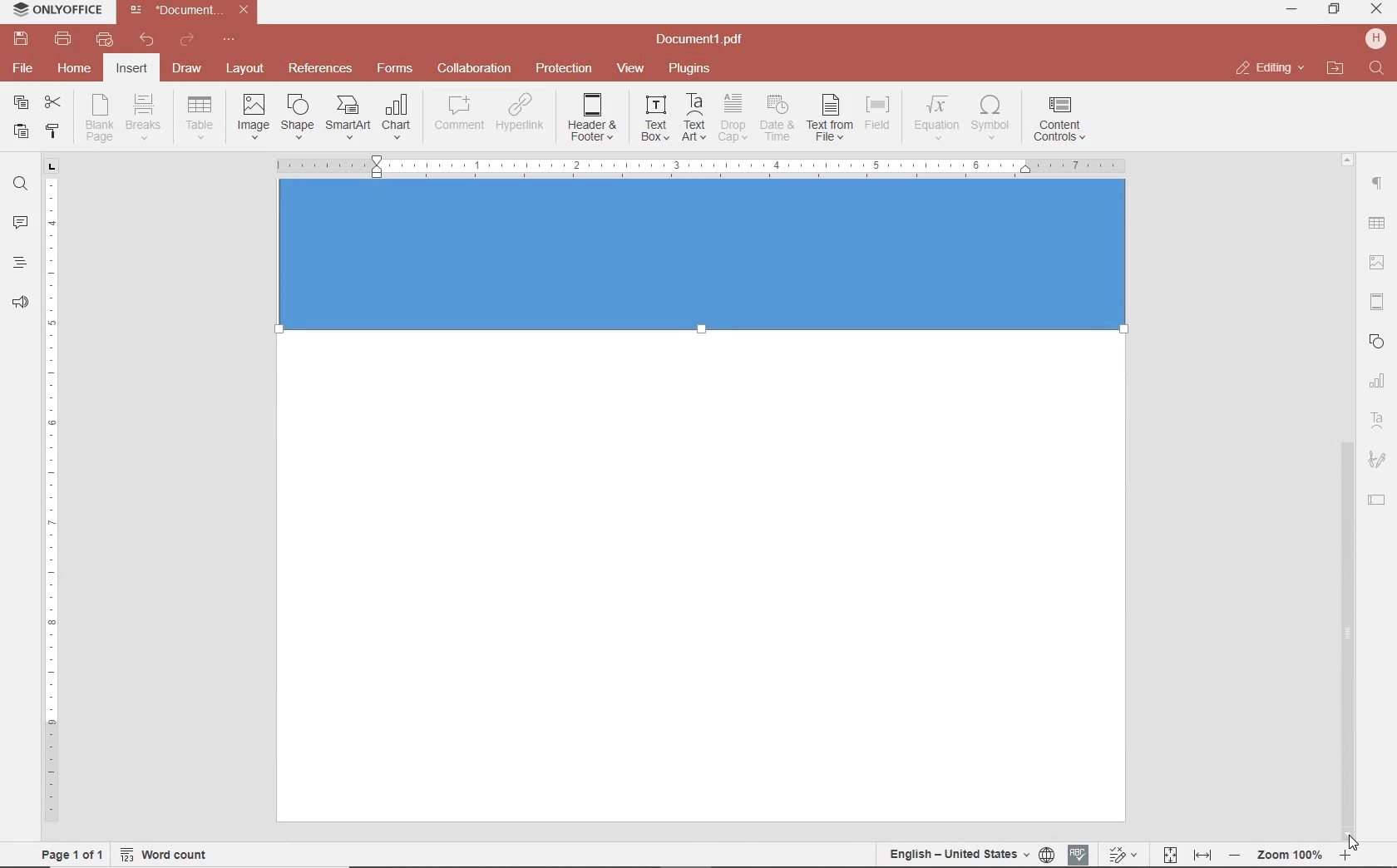  What do you see at coordinates (52, 104) in the screenshot?
I see `cut` at bounding box center [52, 104].